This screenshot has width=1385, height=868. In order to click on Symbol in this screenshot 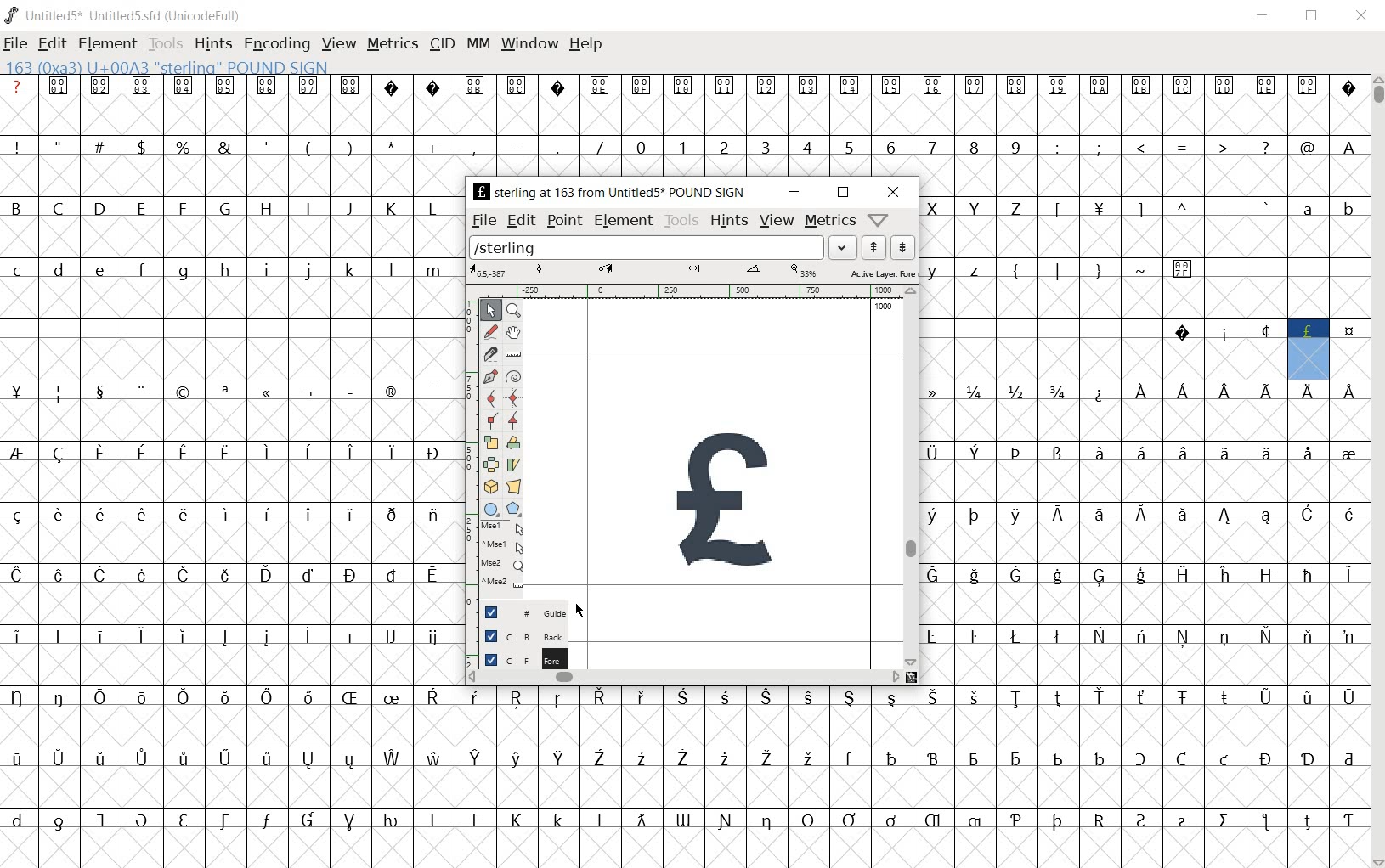, I will do `click(558, 699)`.